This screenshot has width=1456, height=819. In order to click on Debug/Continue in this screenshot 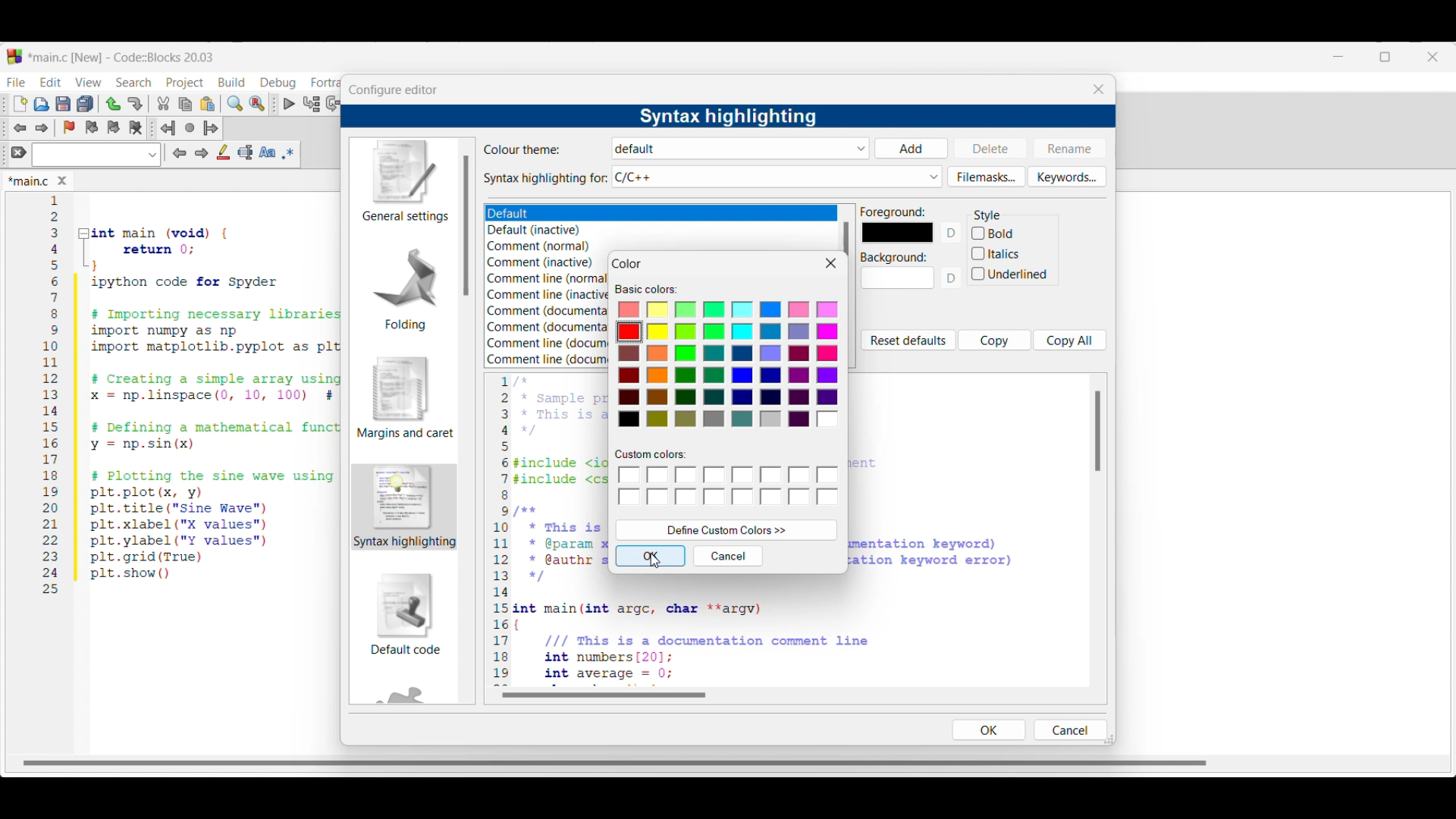, I will do `click(290, 104)`.